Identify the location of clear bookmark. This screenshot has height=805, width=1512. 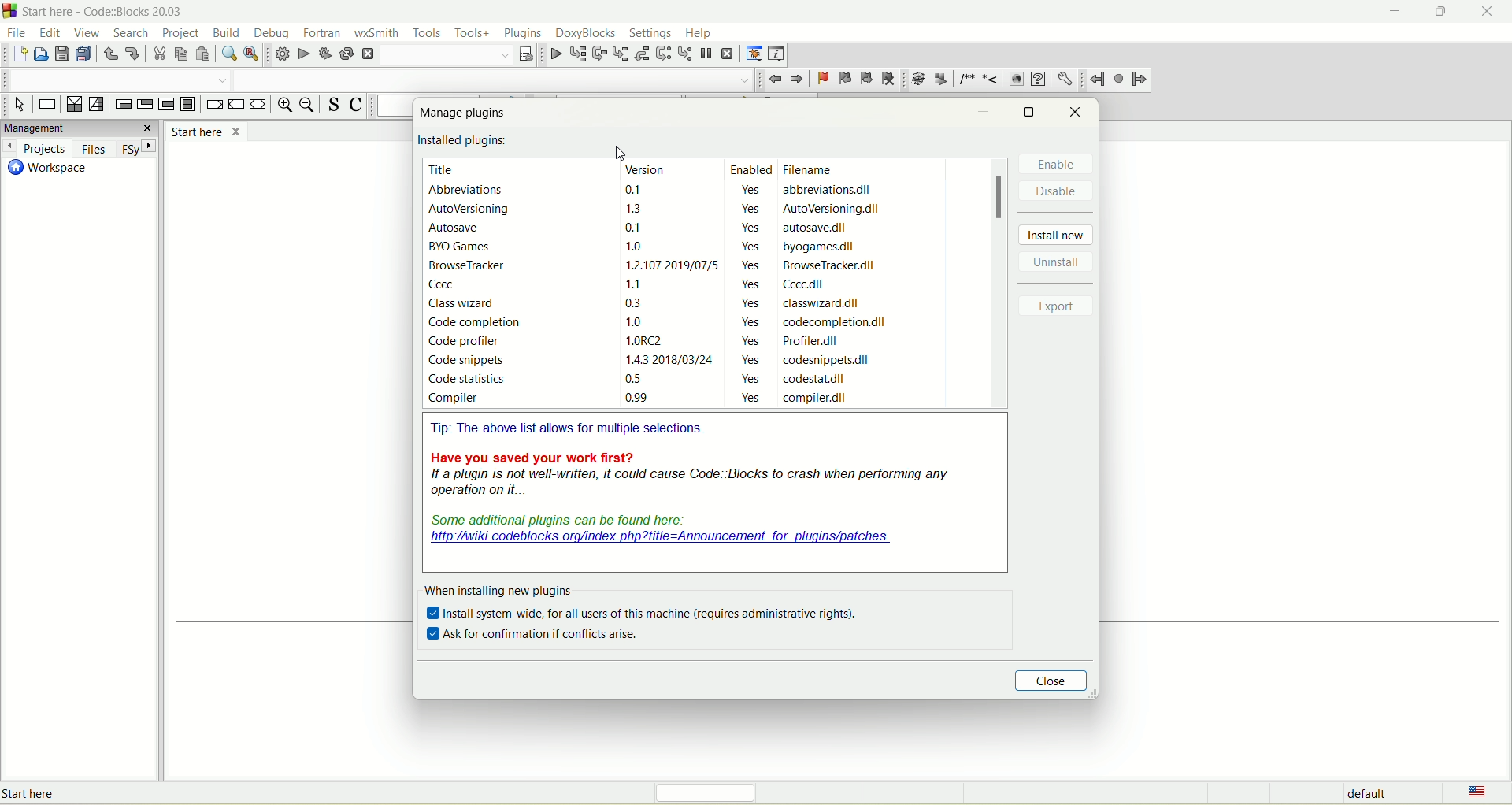
(888, 78).